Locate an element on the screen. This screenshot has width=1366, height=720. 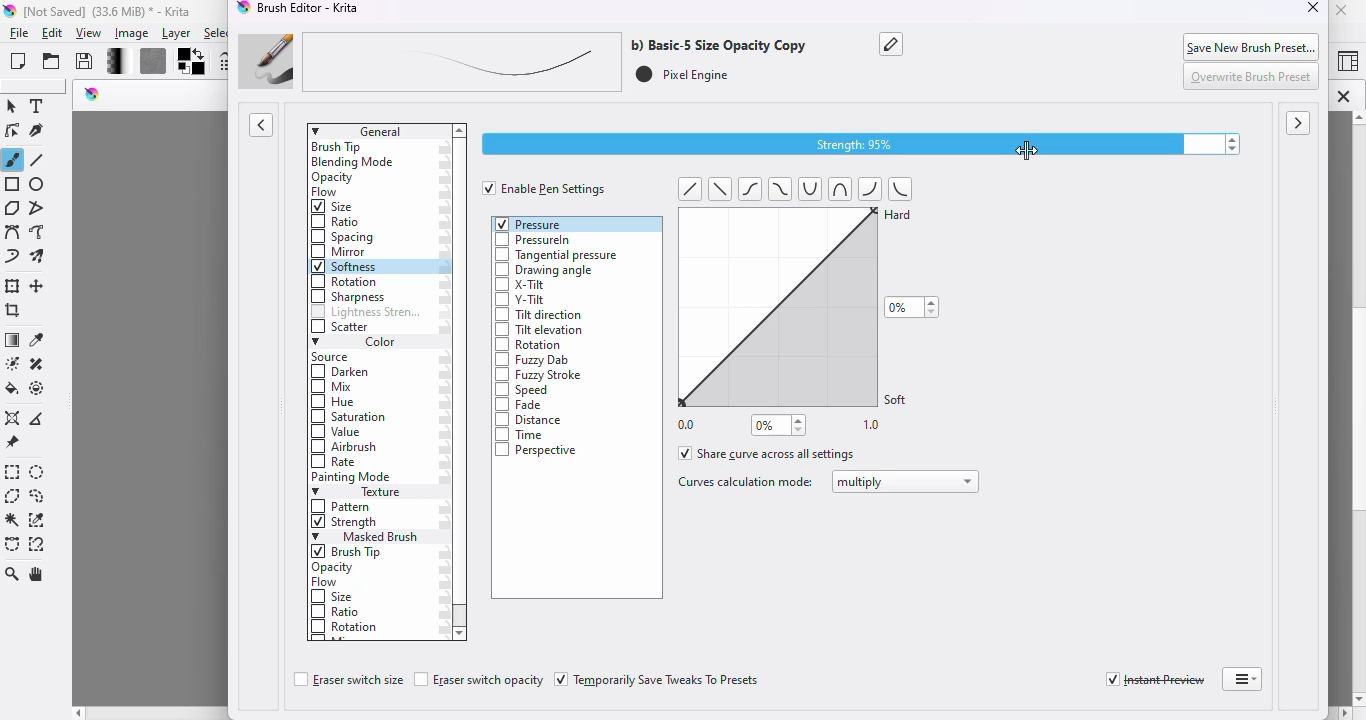
0% is located at coordinates (779, 425).